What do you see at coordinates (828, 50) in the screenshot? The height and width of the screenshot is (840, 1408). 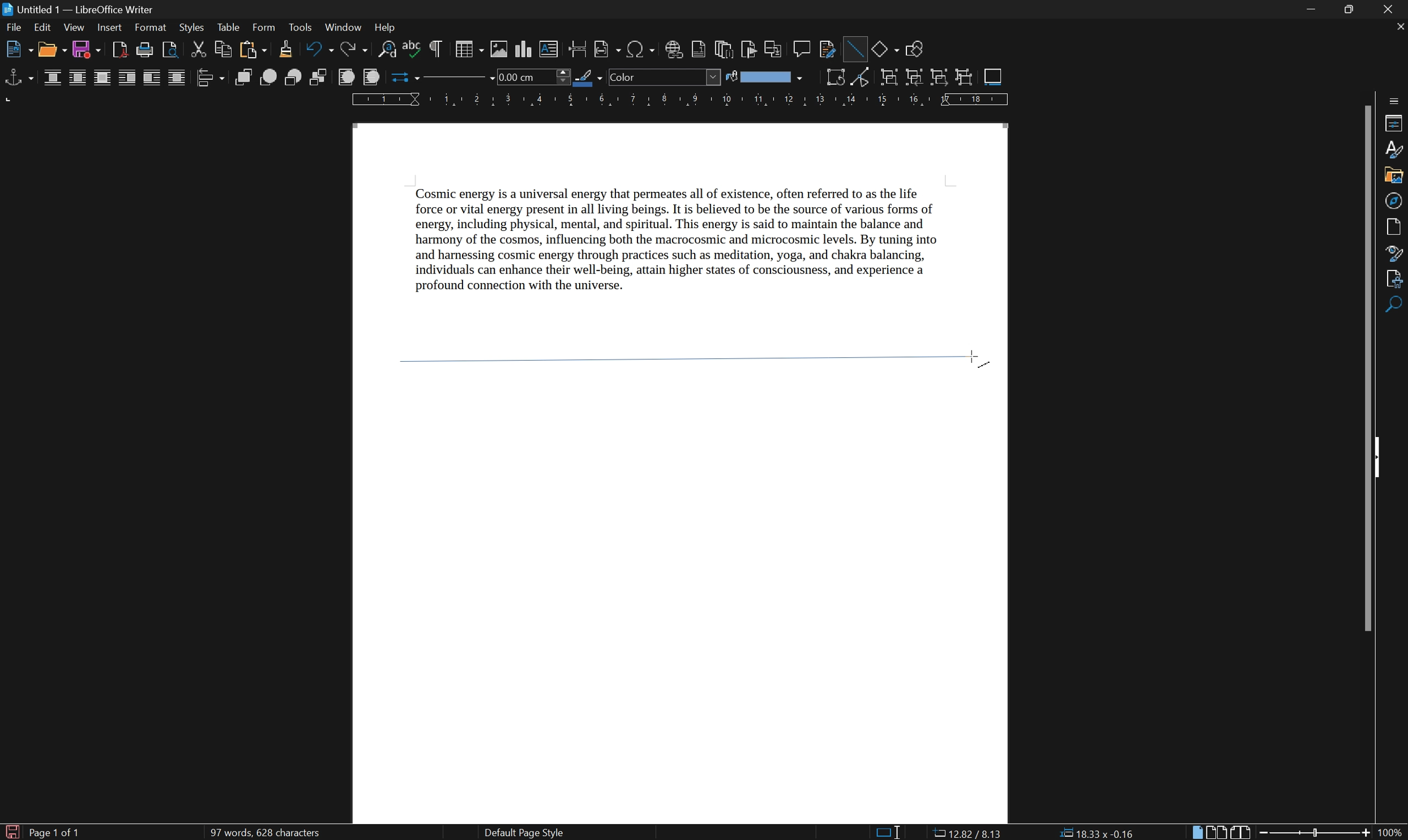 I see `show track changes functions` at bounding box center [828, 50].